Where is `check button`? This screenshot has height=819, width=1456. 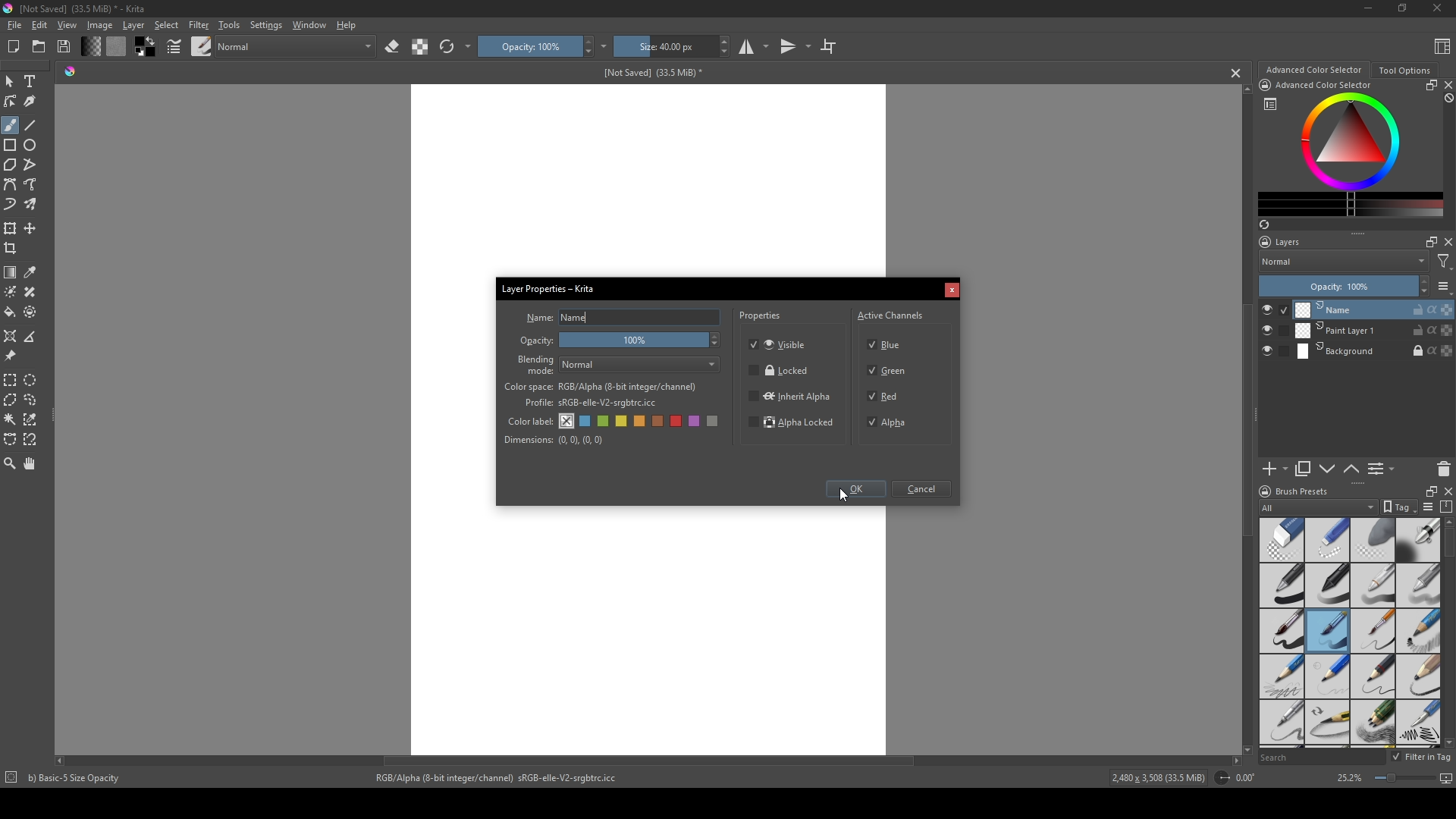
check button is located at coordinates (1274, 309).